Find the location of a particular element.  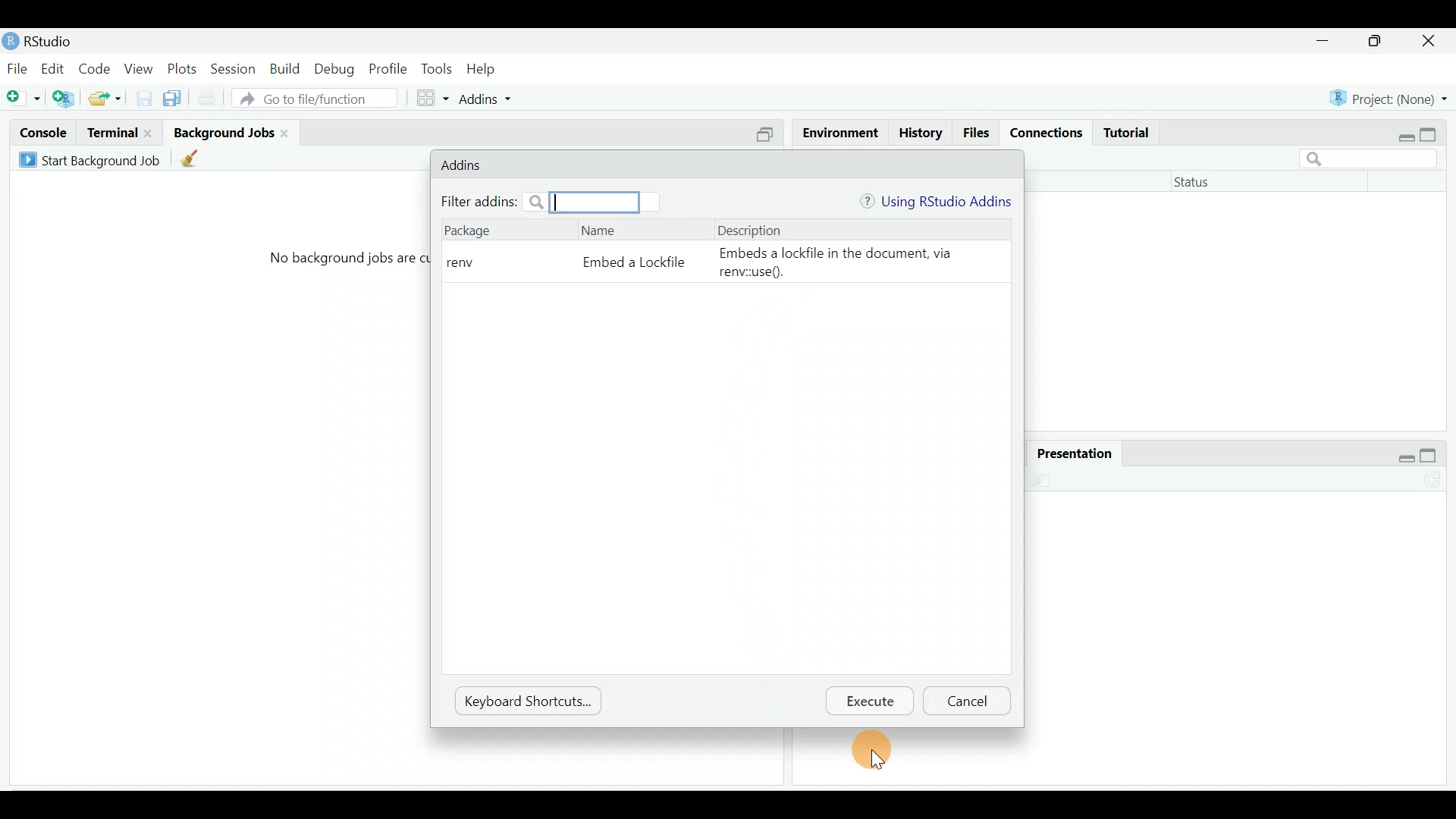

Tools is located at coordinates (437, 67).